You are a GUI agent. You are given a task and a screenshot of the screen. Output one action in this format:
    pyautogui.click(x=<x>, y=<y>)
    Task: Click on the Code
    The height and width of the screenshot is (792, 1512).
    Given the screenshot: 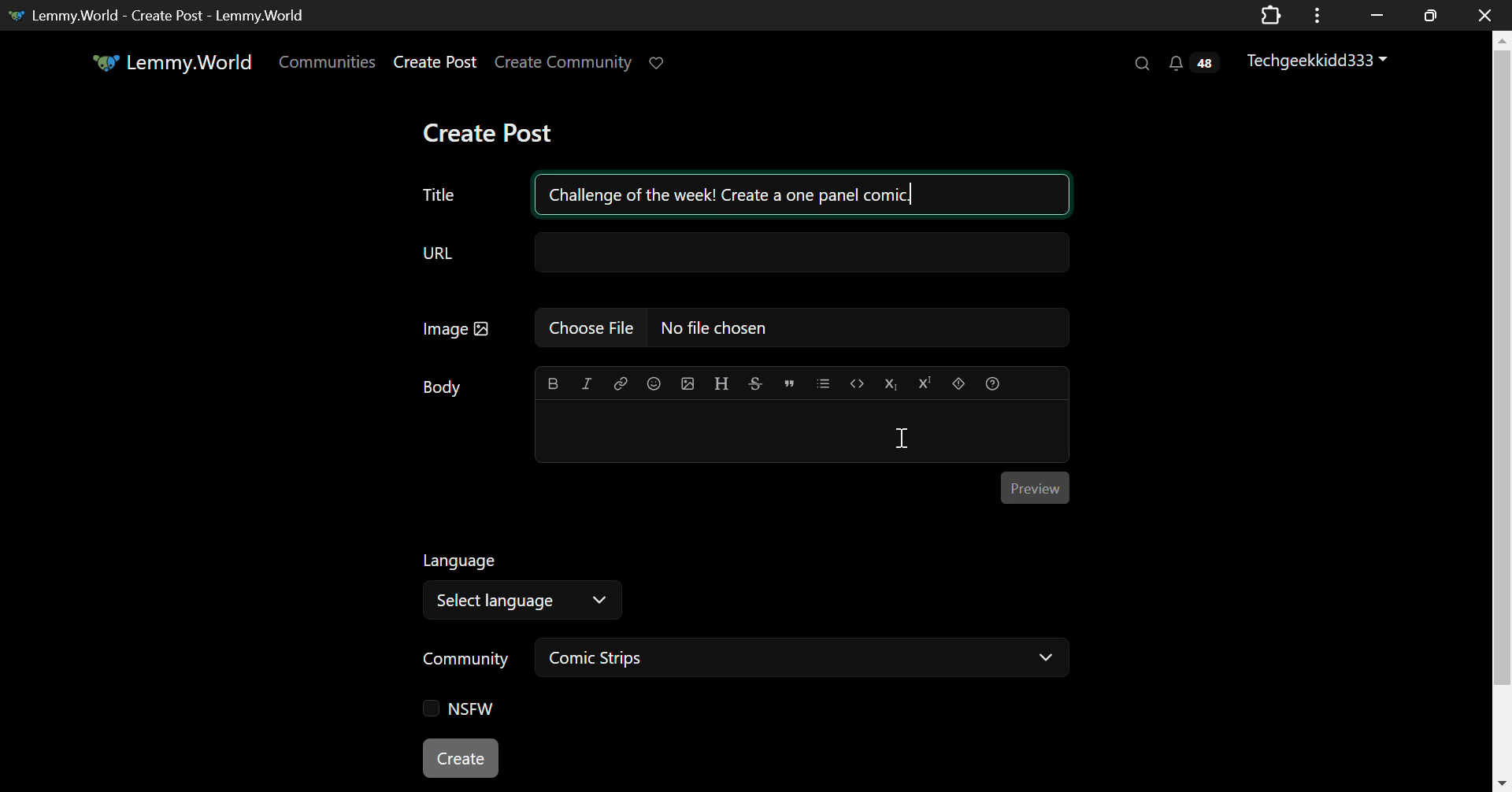 What is the action you would take?
    pyautogui.click(x=857, y=383)
    